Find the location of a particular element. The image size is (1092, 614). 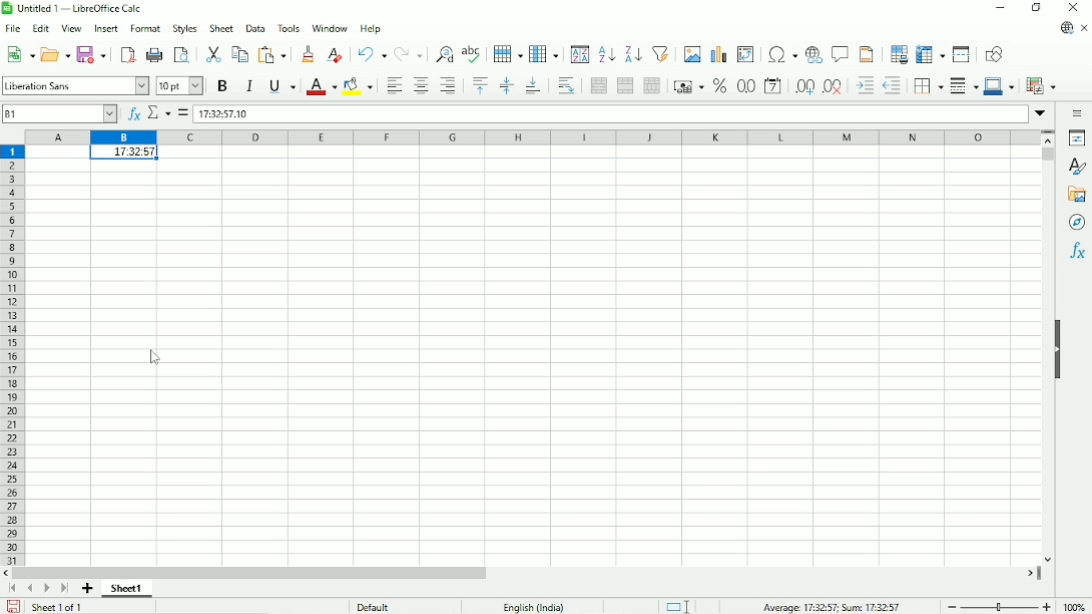

Sidebar settings is located at coordinates (1075, 114).